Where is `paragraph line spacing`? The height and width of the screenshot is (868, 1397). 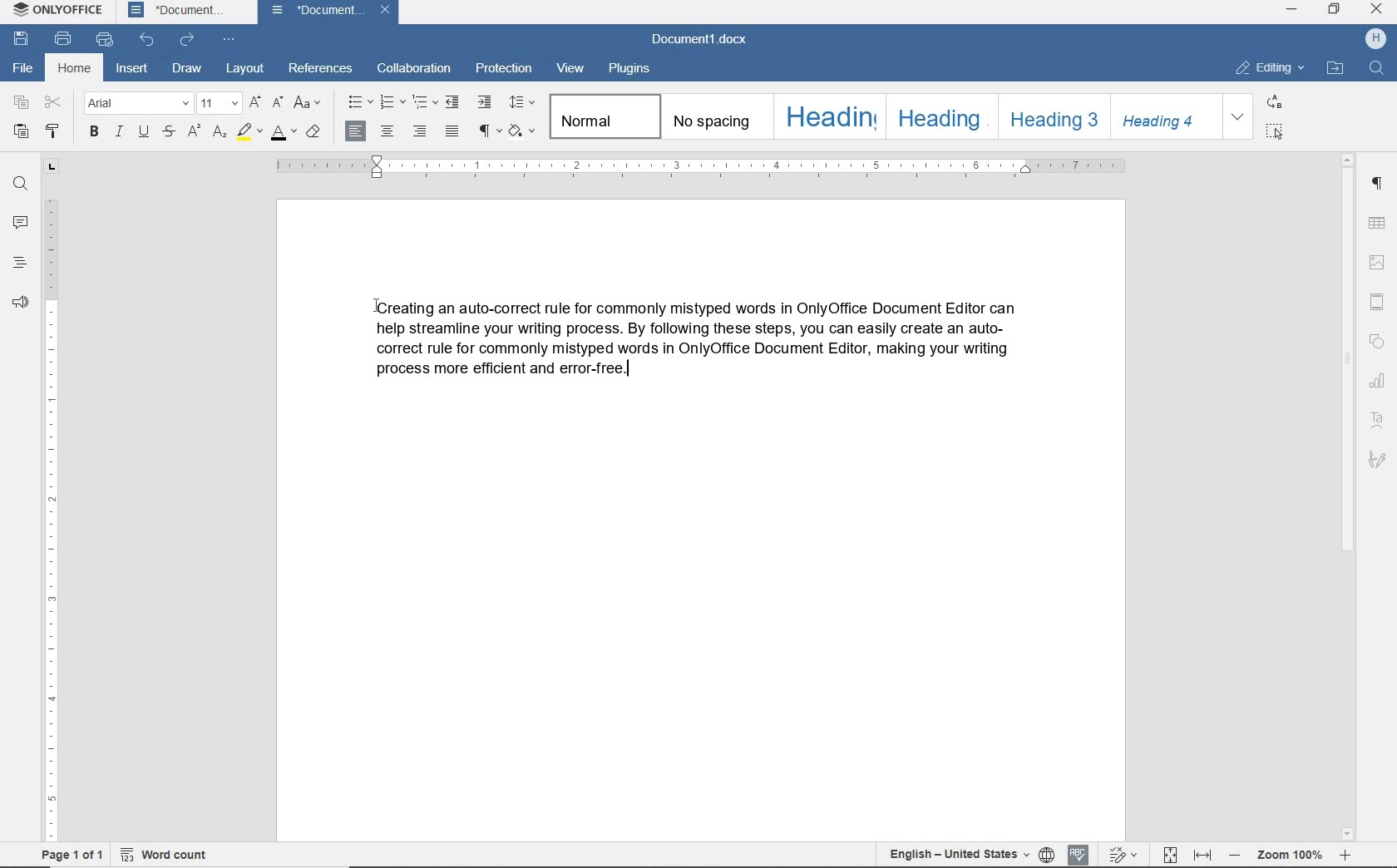
paragraph line spacing is located at coordinates (521, 103).